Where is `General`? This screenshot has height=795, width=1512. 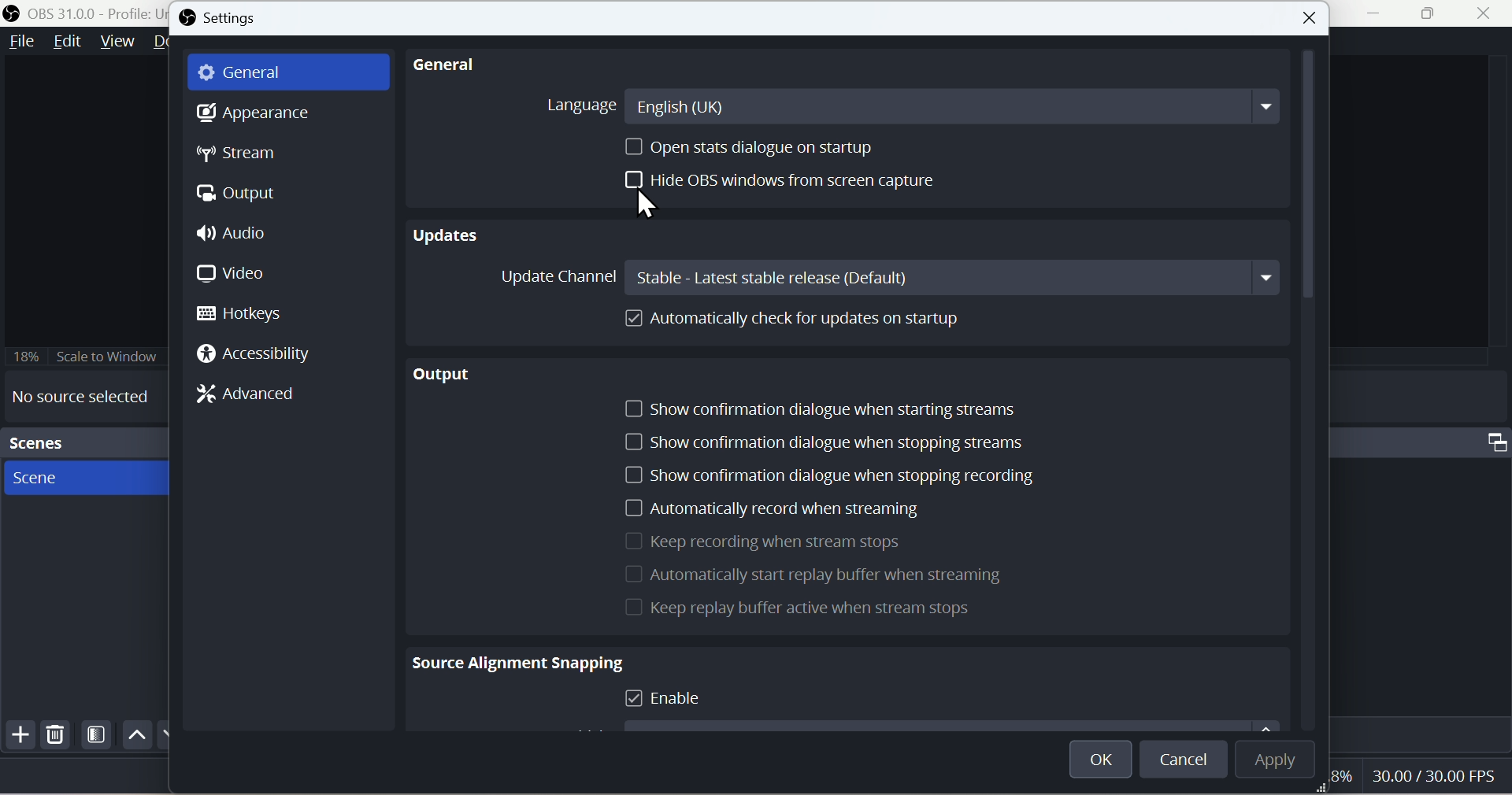 General is located at coordinates (445, 65).